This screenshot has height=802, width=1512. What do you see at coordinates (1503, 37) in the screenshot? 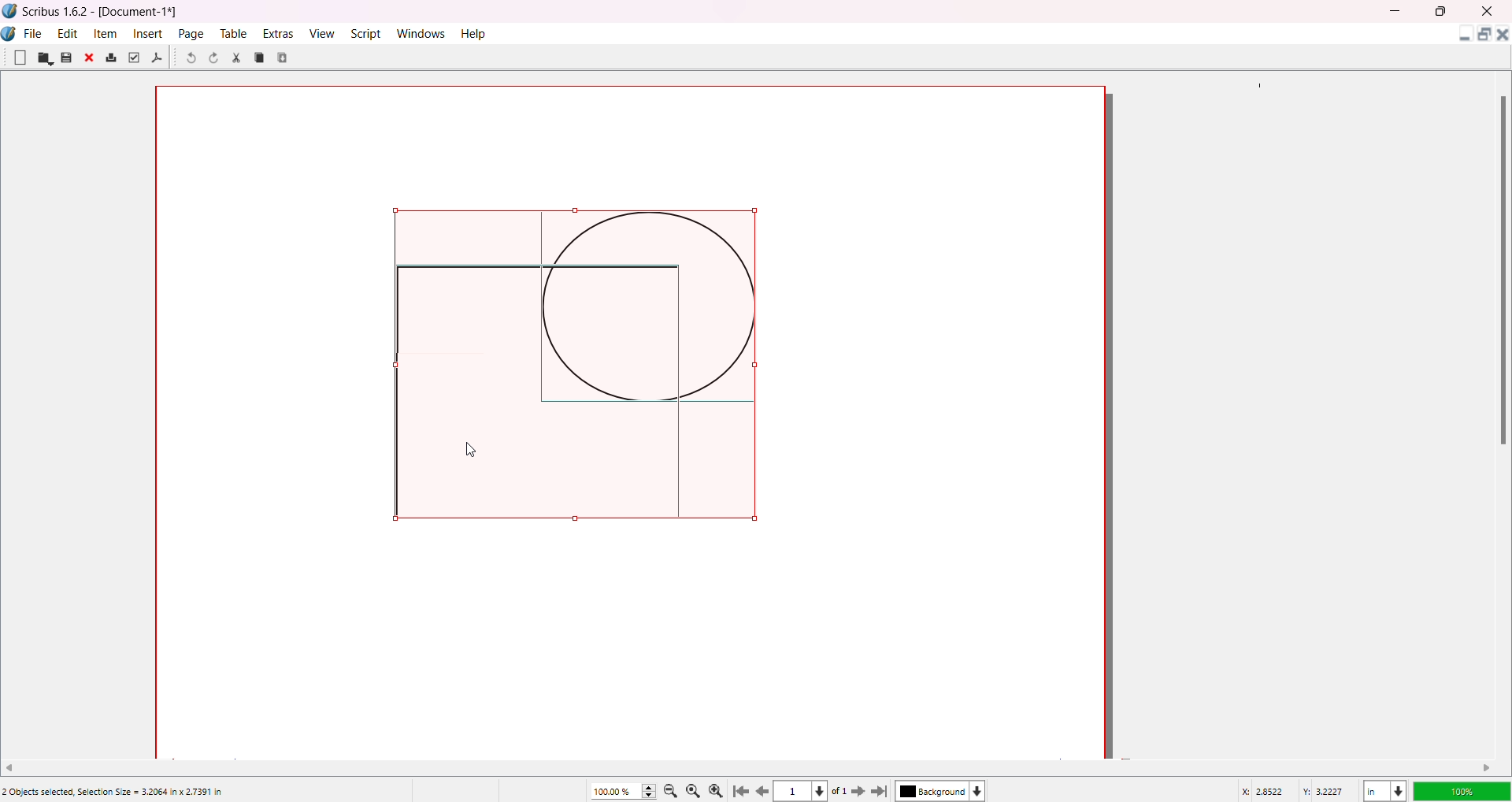
I see `Close Document` at bounding box center [1503, 37].